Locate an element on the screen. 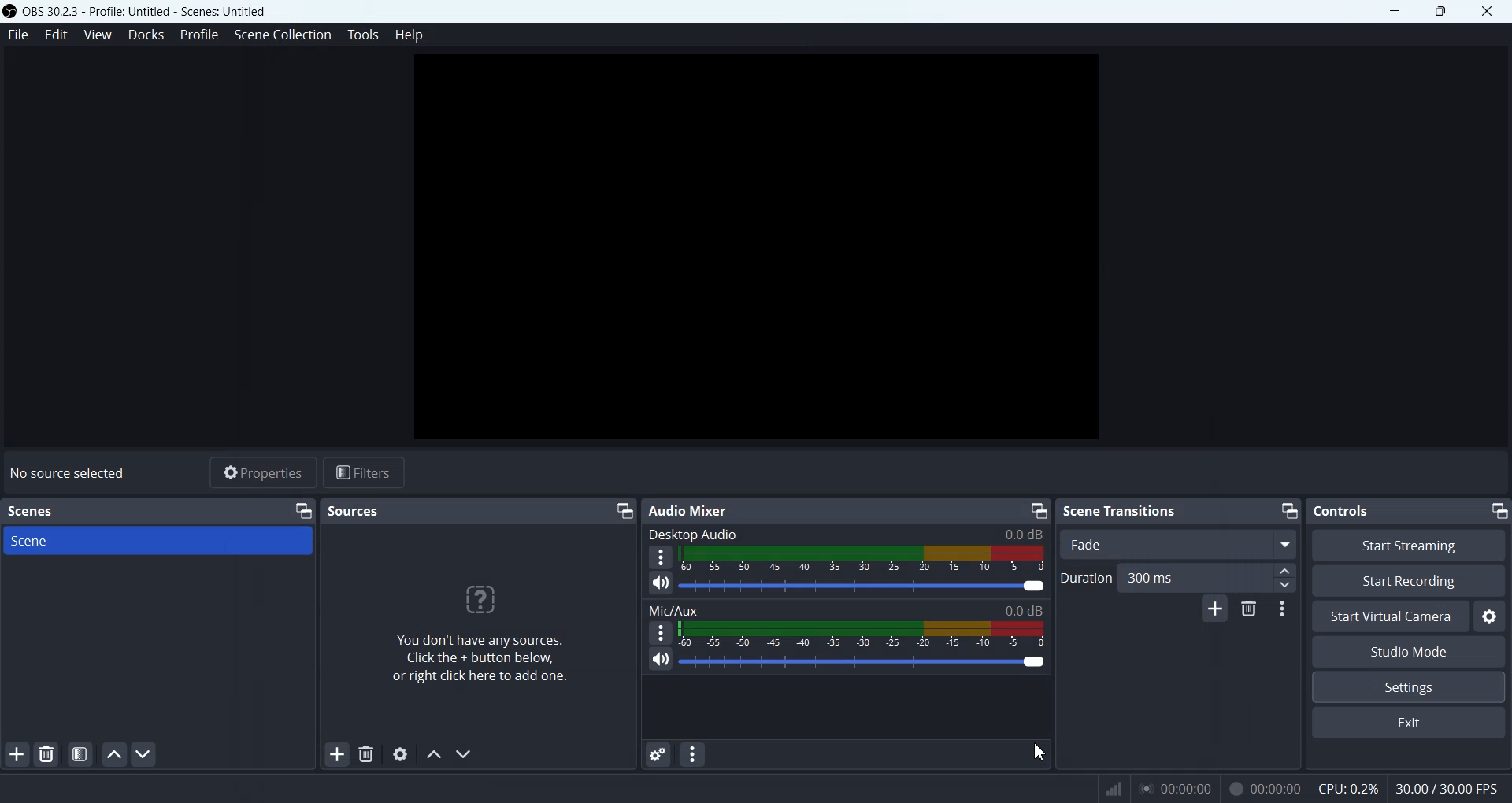 This screenshot has width=1512, height=803. Volume Indicator is located at coordinates (863, 560).